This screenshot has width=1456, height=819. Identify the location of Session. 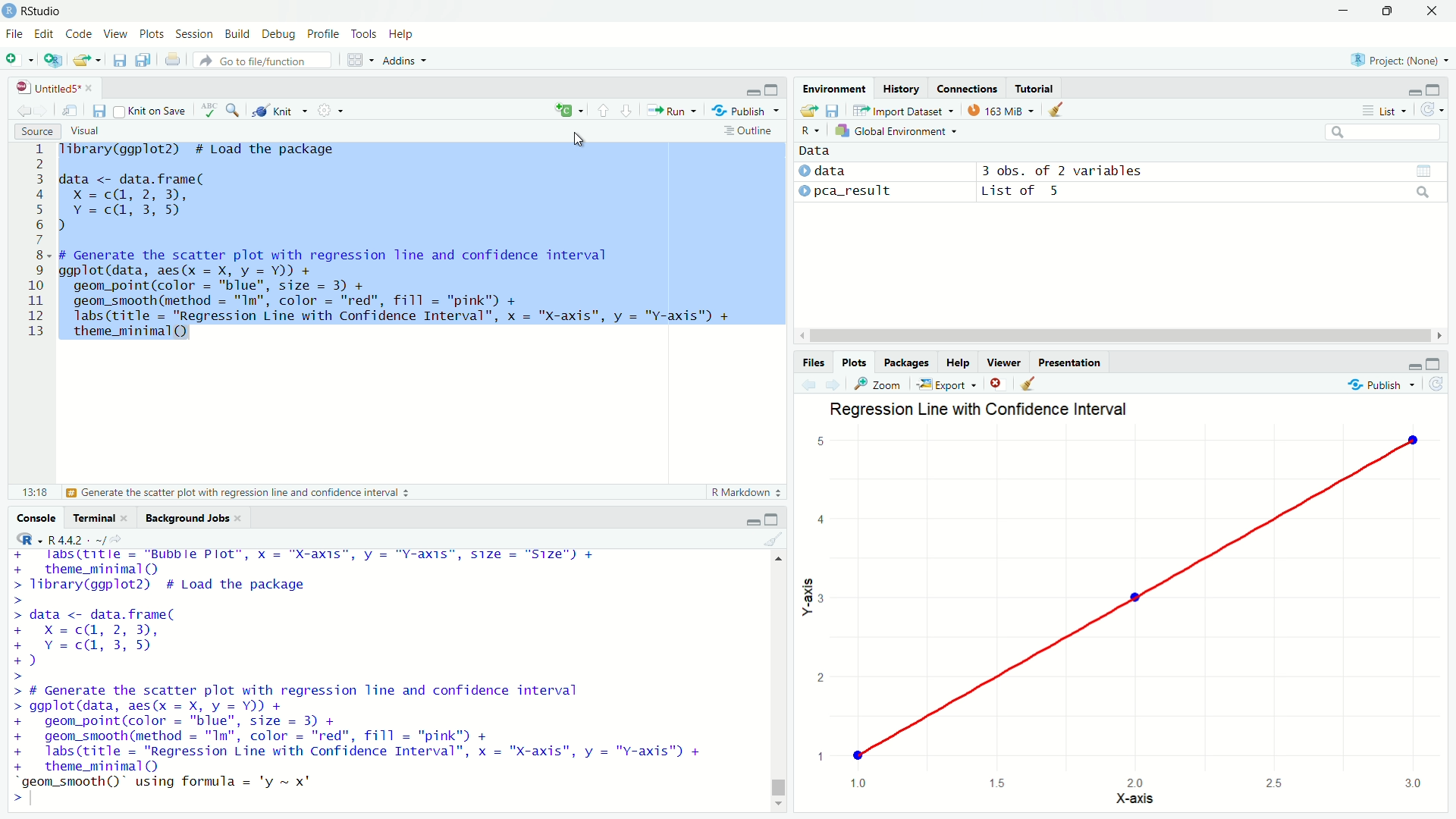
(193, 34).